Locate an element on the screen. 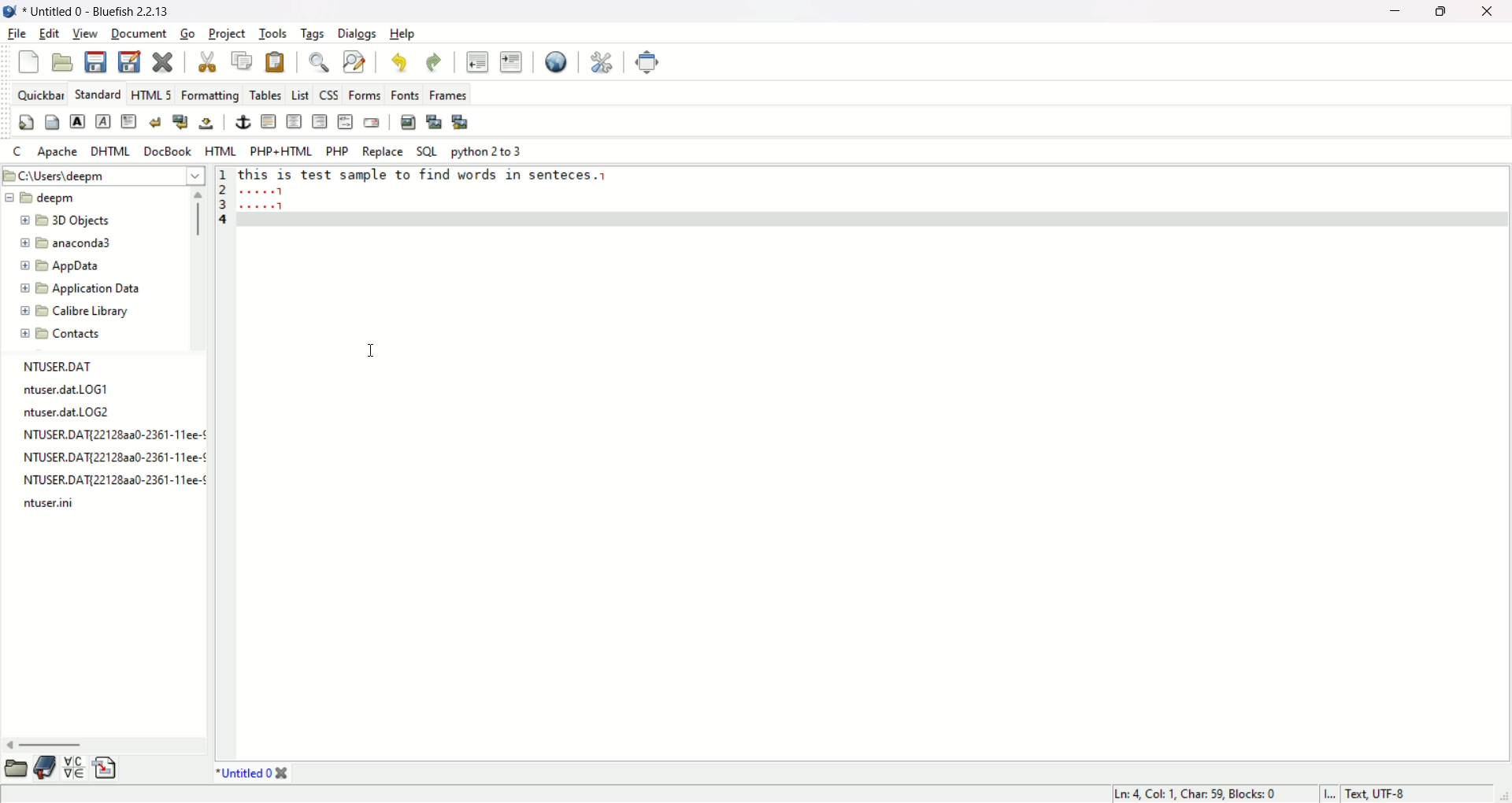  apache is located at coordinates (58, 152).